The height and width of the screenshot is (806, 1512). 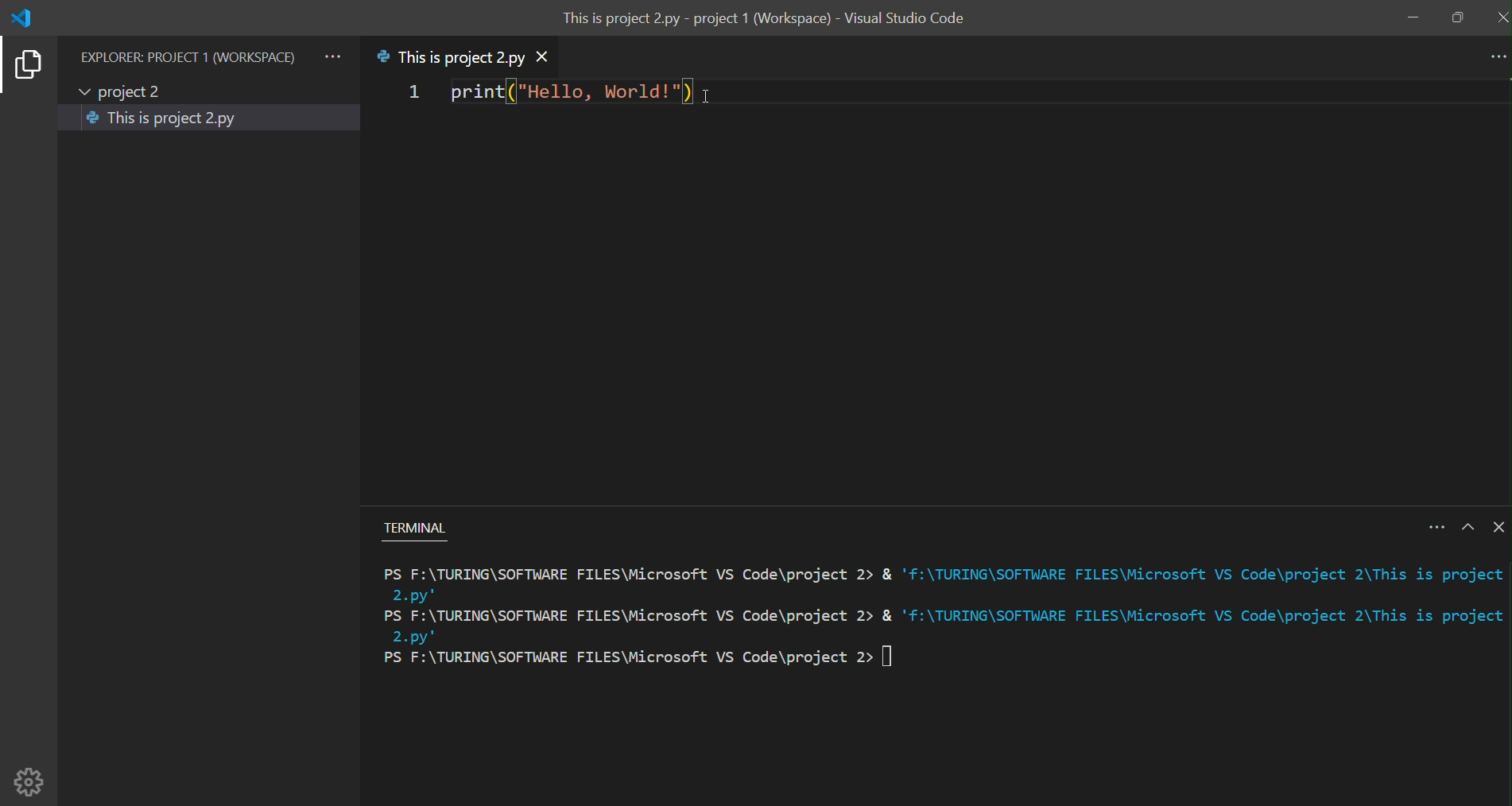 I want to click on file name, so click(x=449, y=56).